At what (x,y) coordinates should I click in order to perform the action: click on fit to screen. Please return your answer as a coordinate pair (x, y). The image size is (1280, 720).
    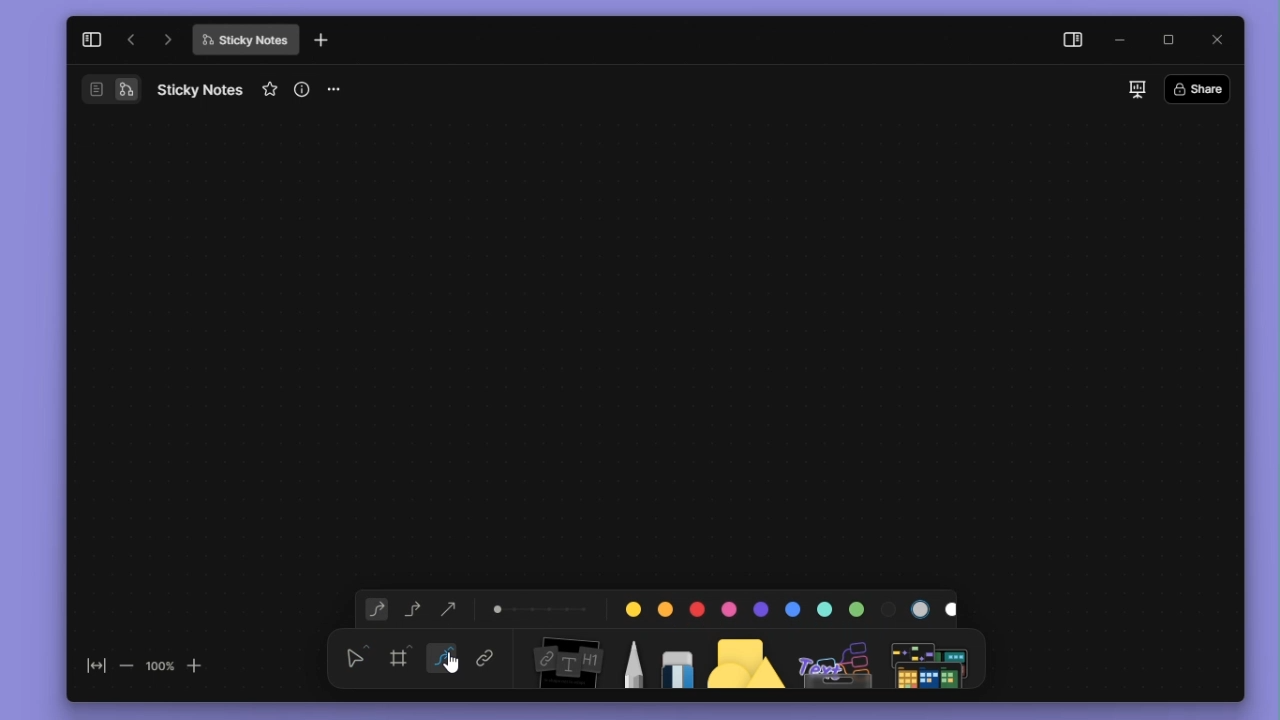
    Looking at the image, I should click on (90, 670).